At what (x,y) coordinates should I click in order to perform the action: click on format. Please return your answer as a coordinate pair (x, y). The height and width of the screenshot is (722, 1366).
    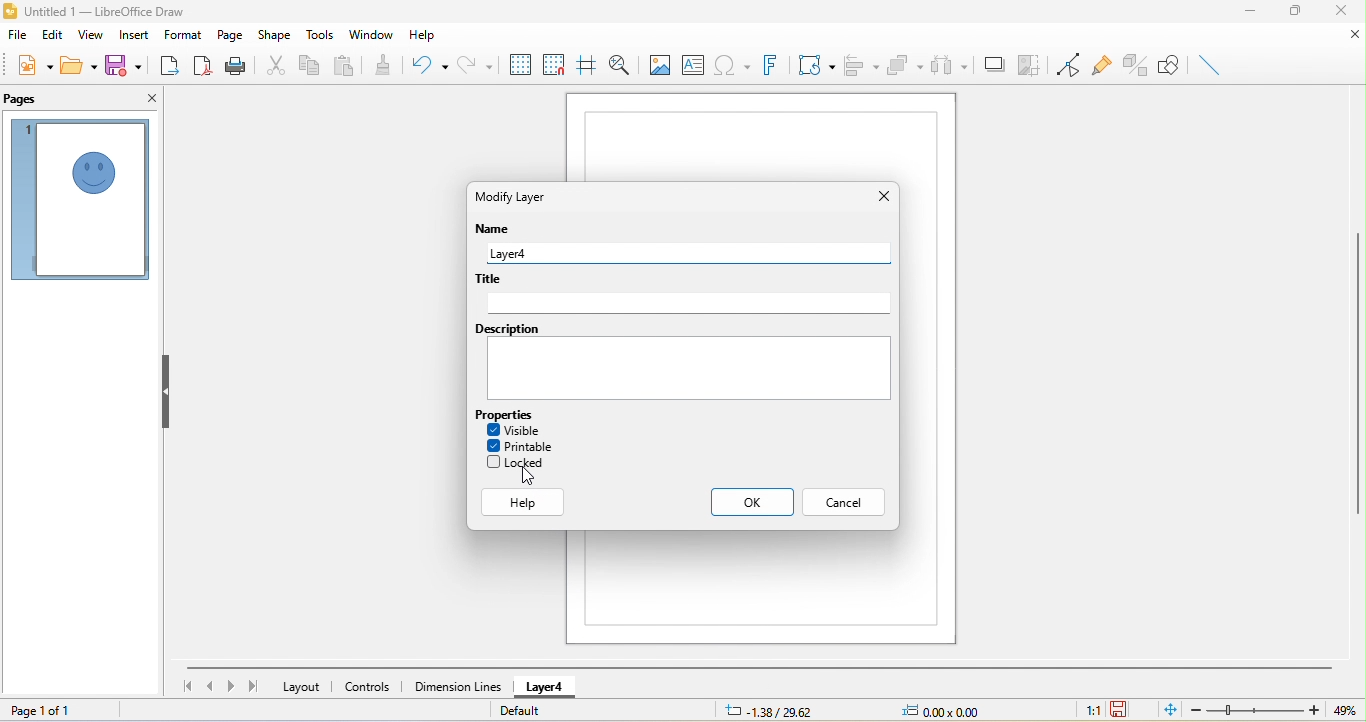
    Looking at the image, I should click on (184, 35).